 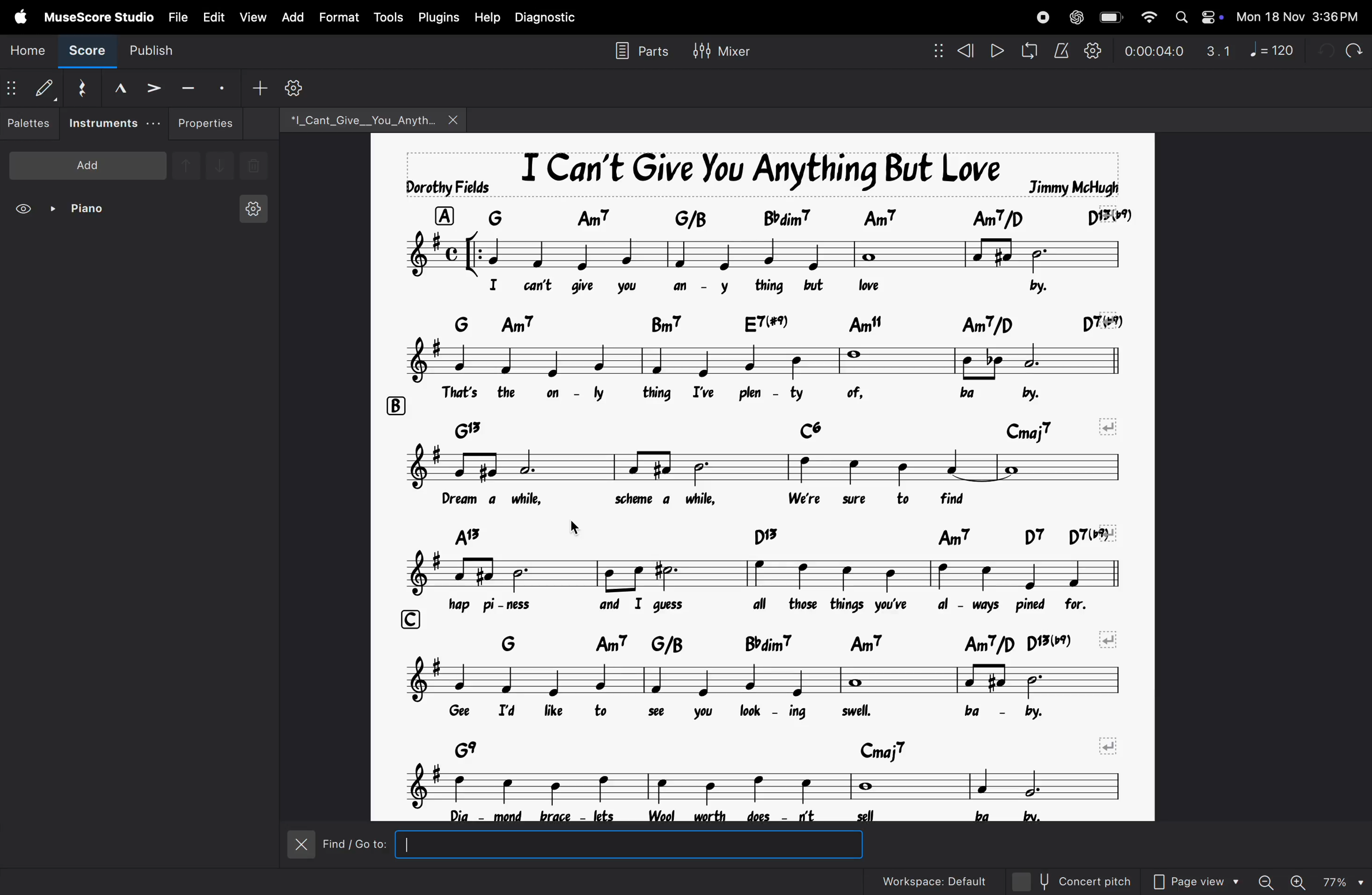 What do you see at coordinates (786, 749) in the screenshot?
I see `chord symbols` at bounding box center [786, 749].